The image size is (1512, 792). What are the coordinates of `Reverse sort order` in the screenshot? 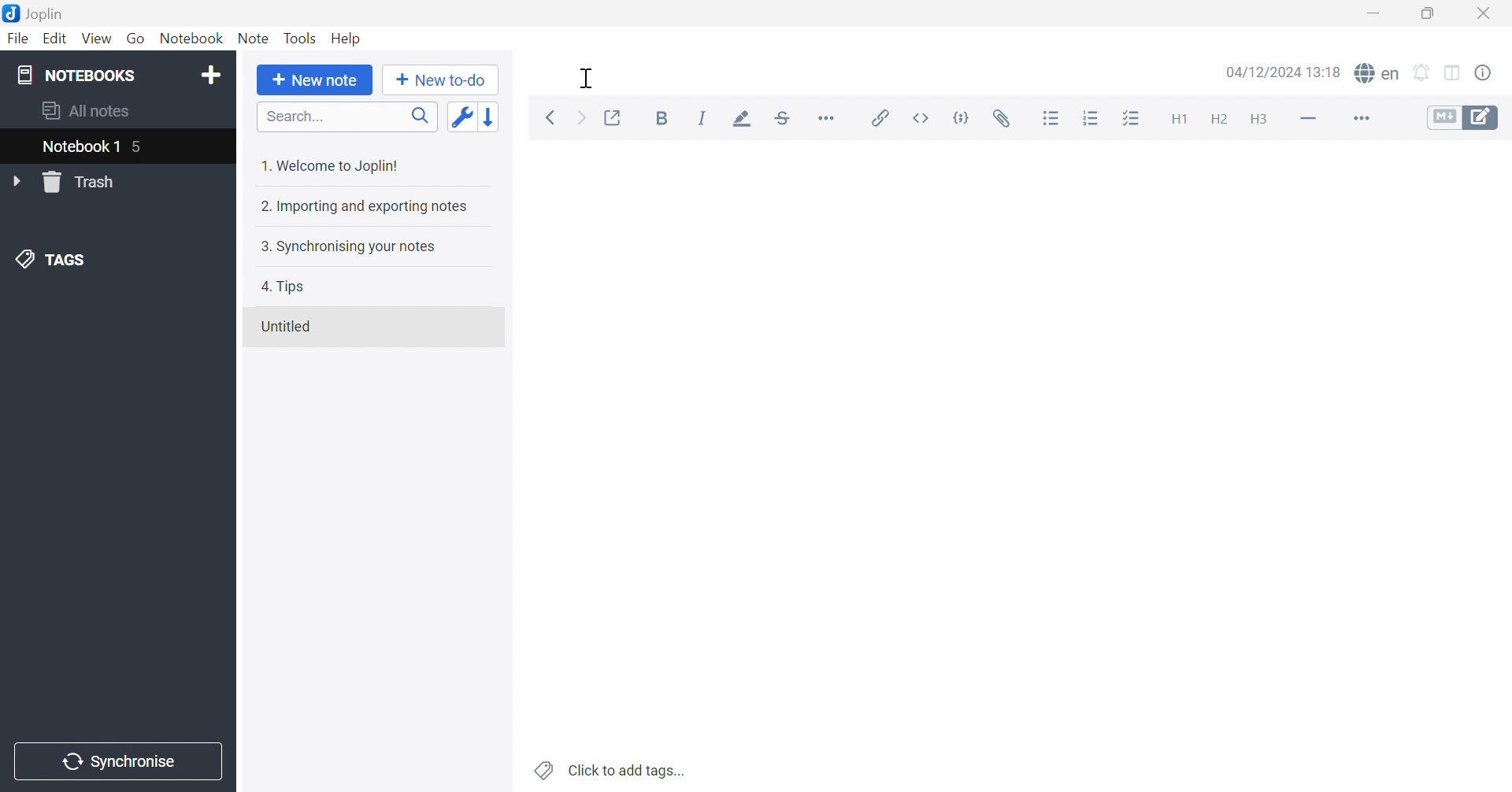 It's located at (490, 116).